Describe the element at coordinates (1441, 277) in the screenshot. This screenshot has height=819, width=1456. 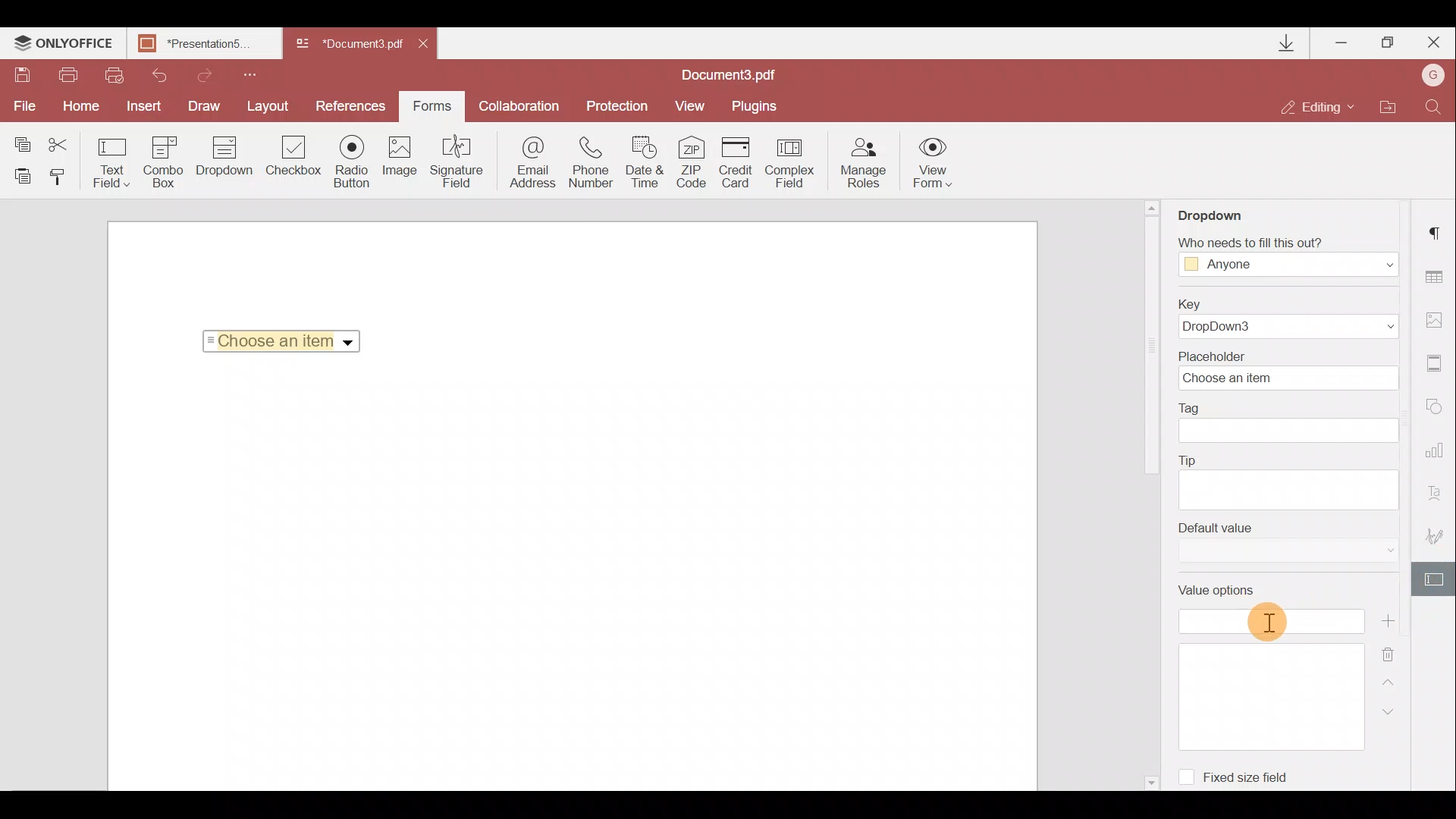
I see `Table settings` at that location.